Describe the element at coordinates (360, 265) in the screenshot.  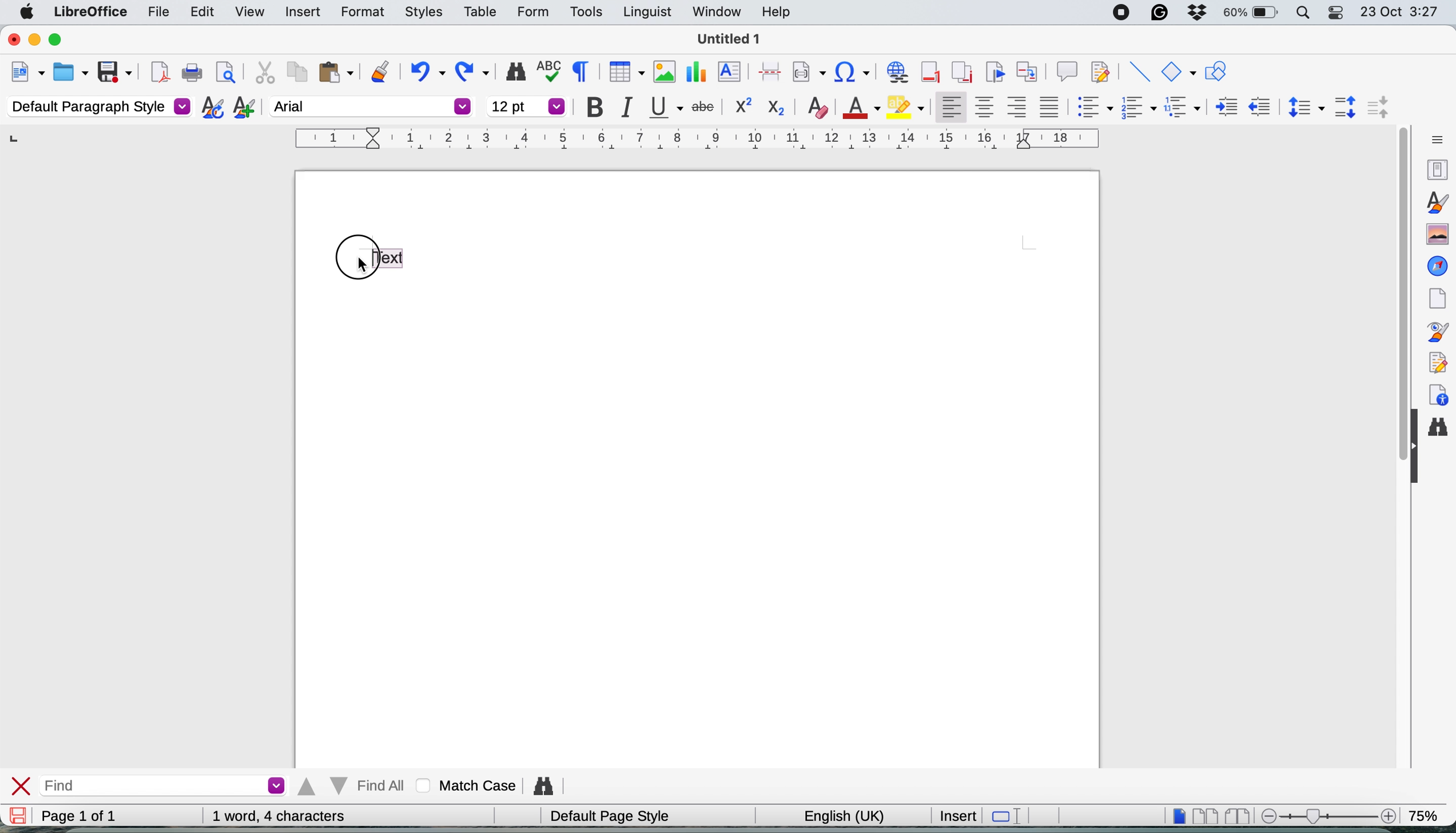
I see `cursor` at that location.